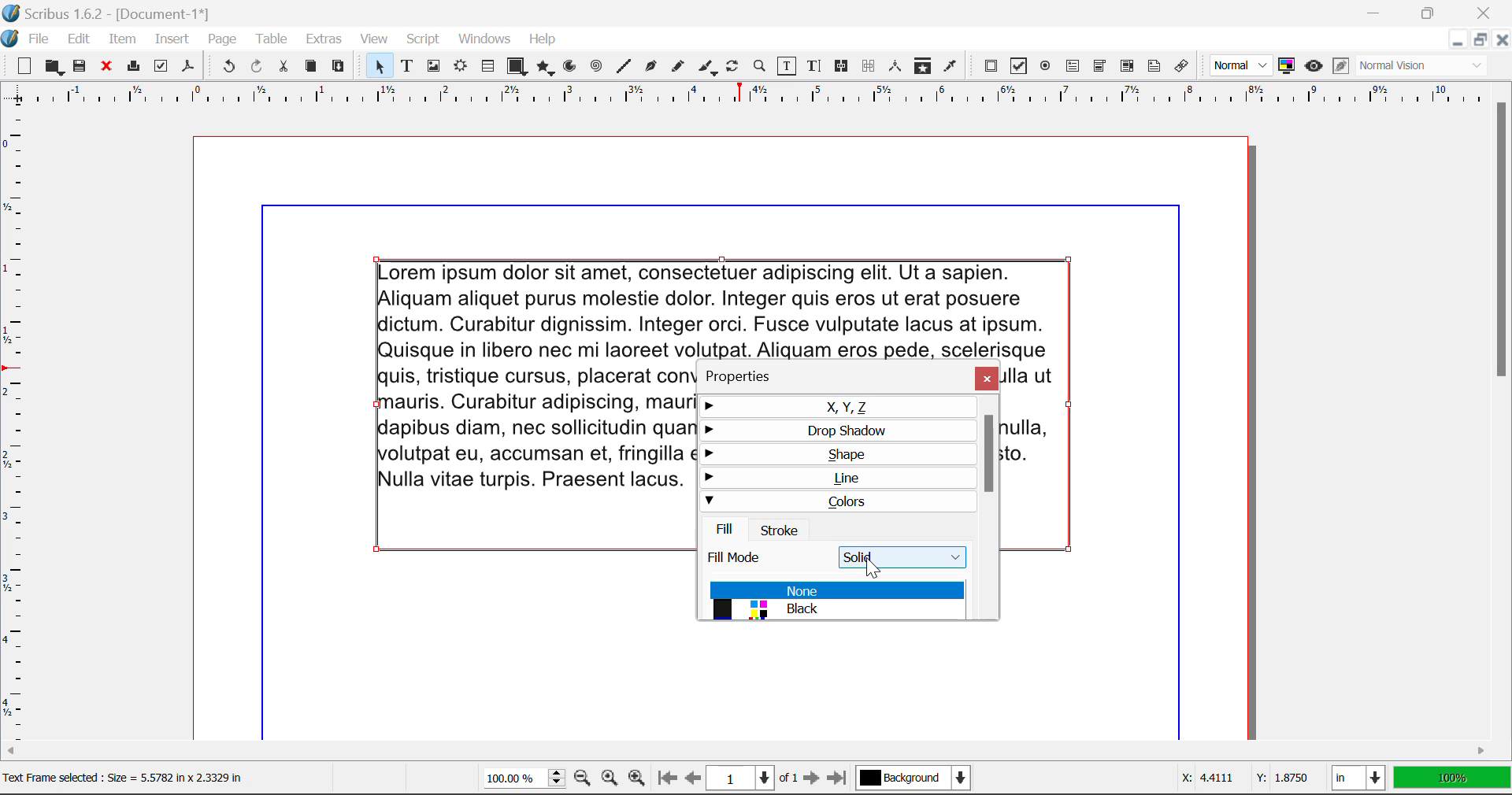 This screenshot has height=795, width=1512. I want to click on Polygons, so click(545, 69).